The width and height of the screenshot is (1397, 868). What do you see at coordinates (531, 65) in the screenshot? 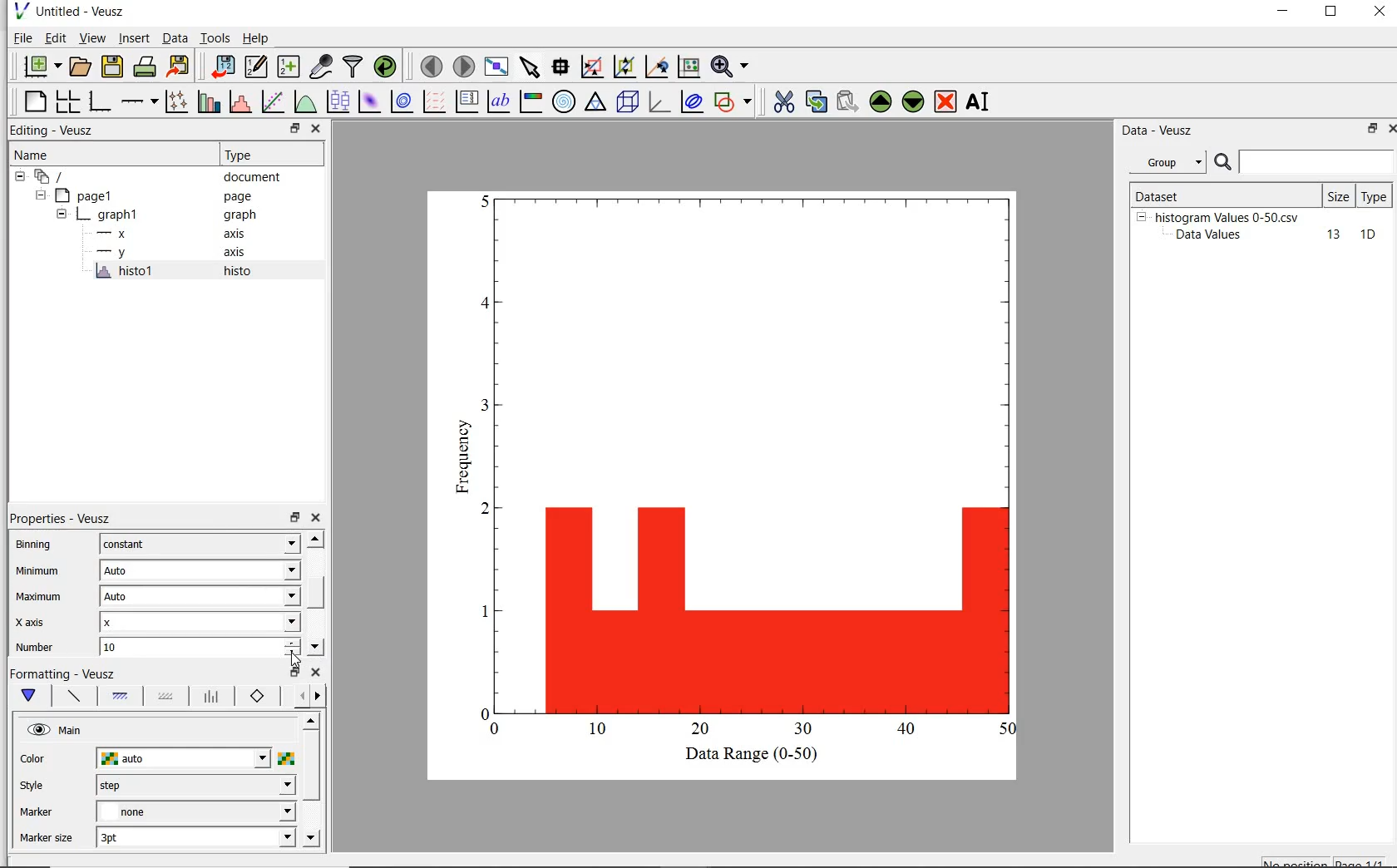
I see `select items from the graph scroll` at bounding box center [531, 65].